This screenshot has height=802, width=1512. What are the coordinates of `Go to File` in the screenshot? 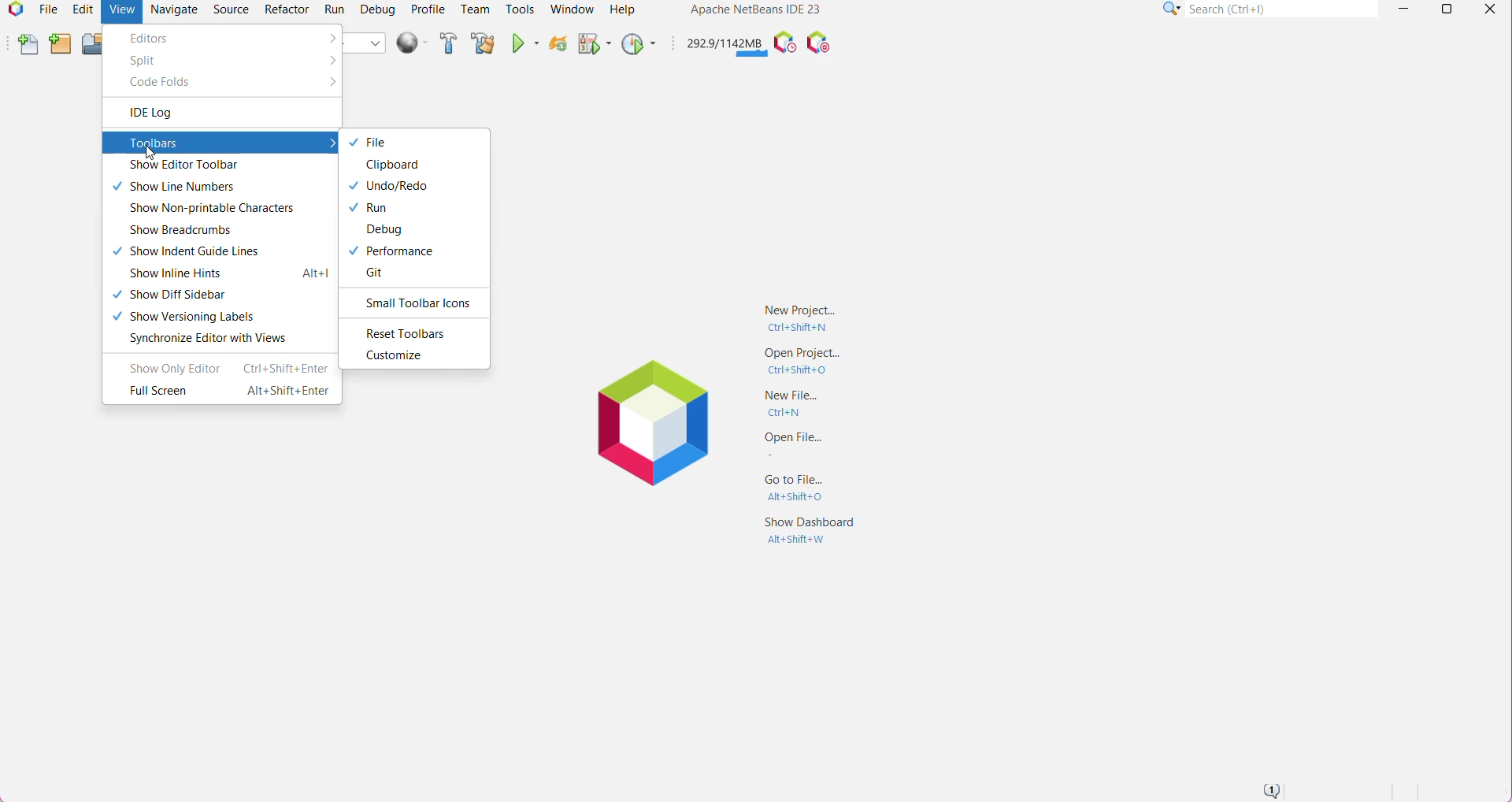 It's located at (803, 486).